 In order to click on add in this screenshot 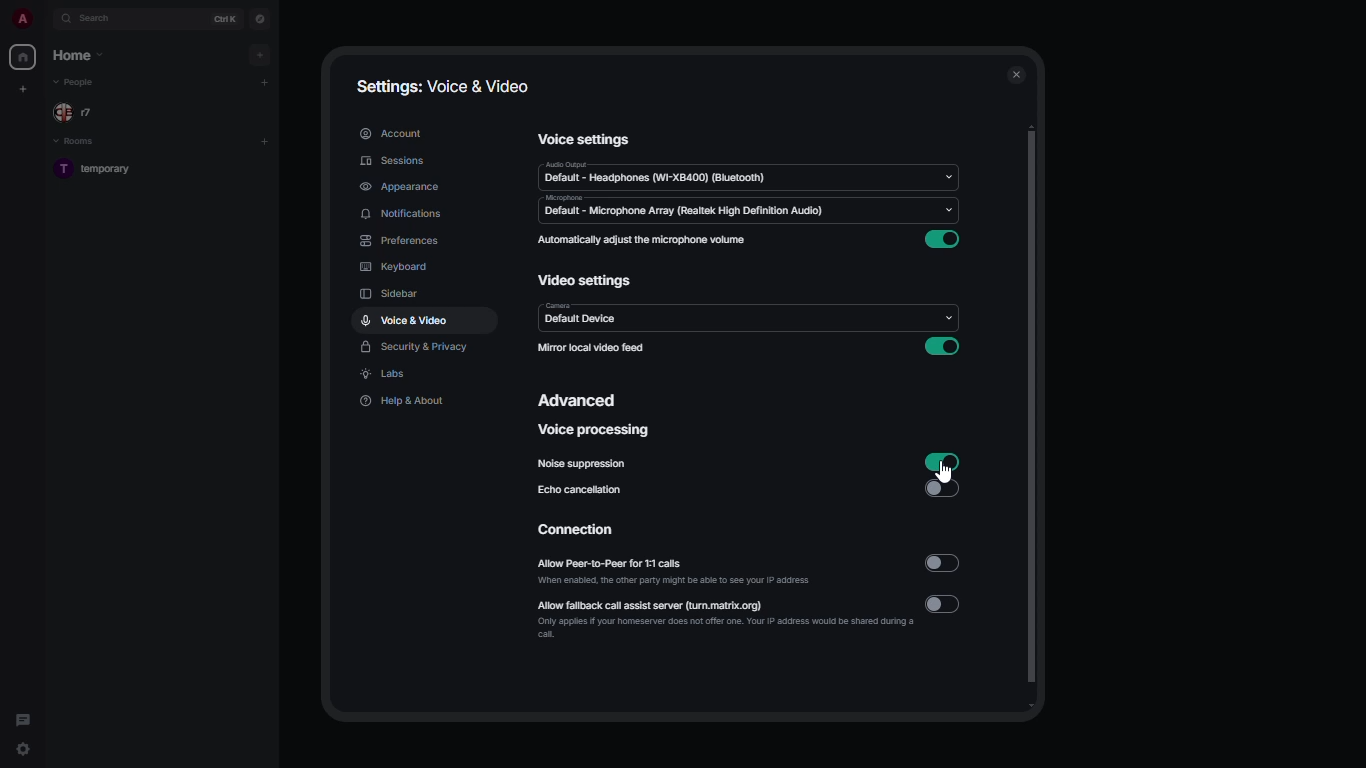, I will do `click(264, 81)`.